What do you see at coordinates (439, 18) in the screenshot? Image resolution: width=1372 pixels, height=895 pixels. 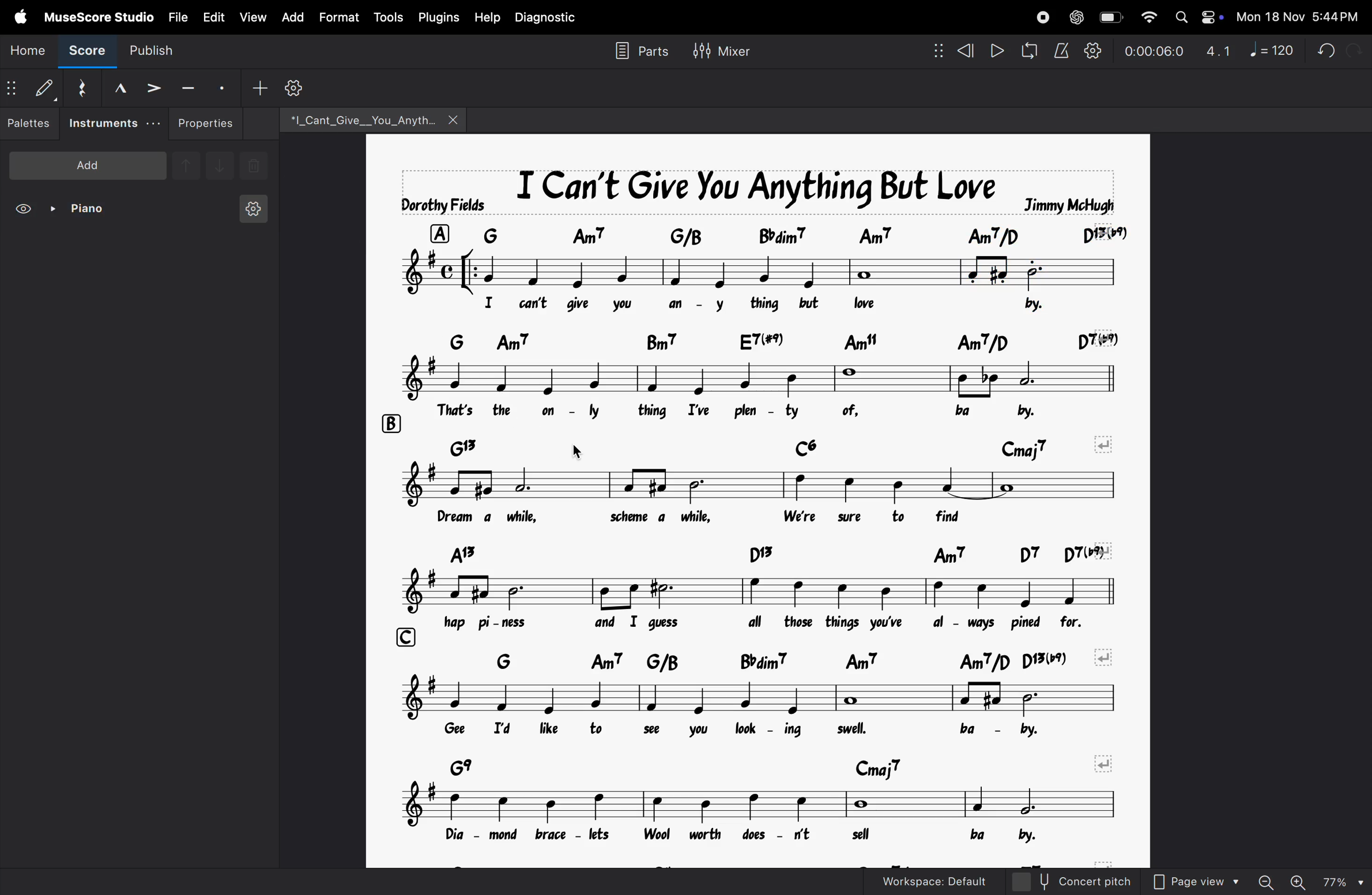 I see `plugins` at bounding box center [439, 18].